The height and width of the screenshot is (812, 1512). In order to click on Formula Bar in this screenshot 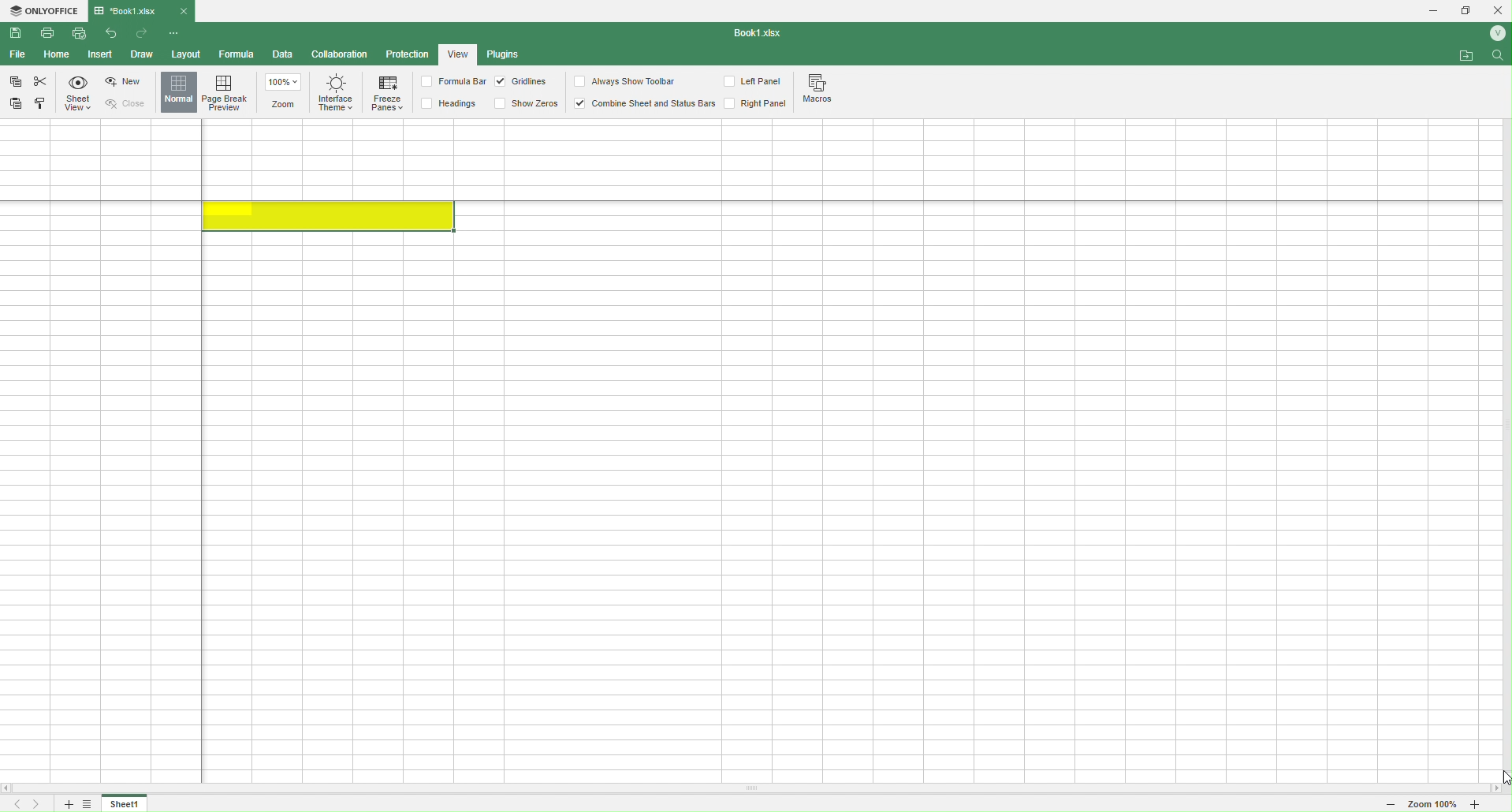, I will do `click(452, 82)`.